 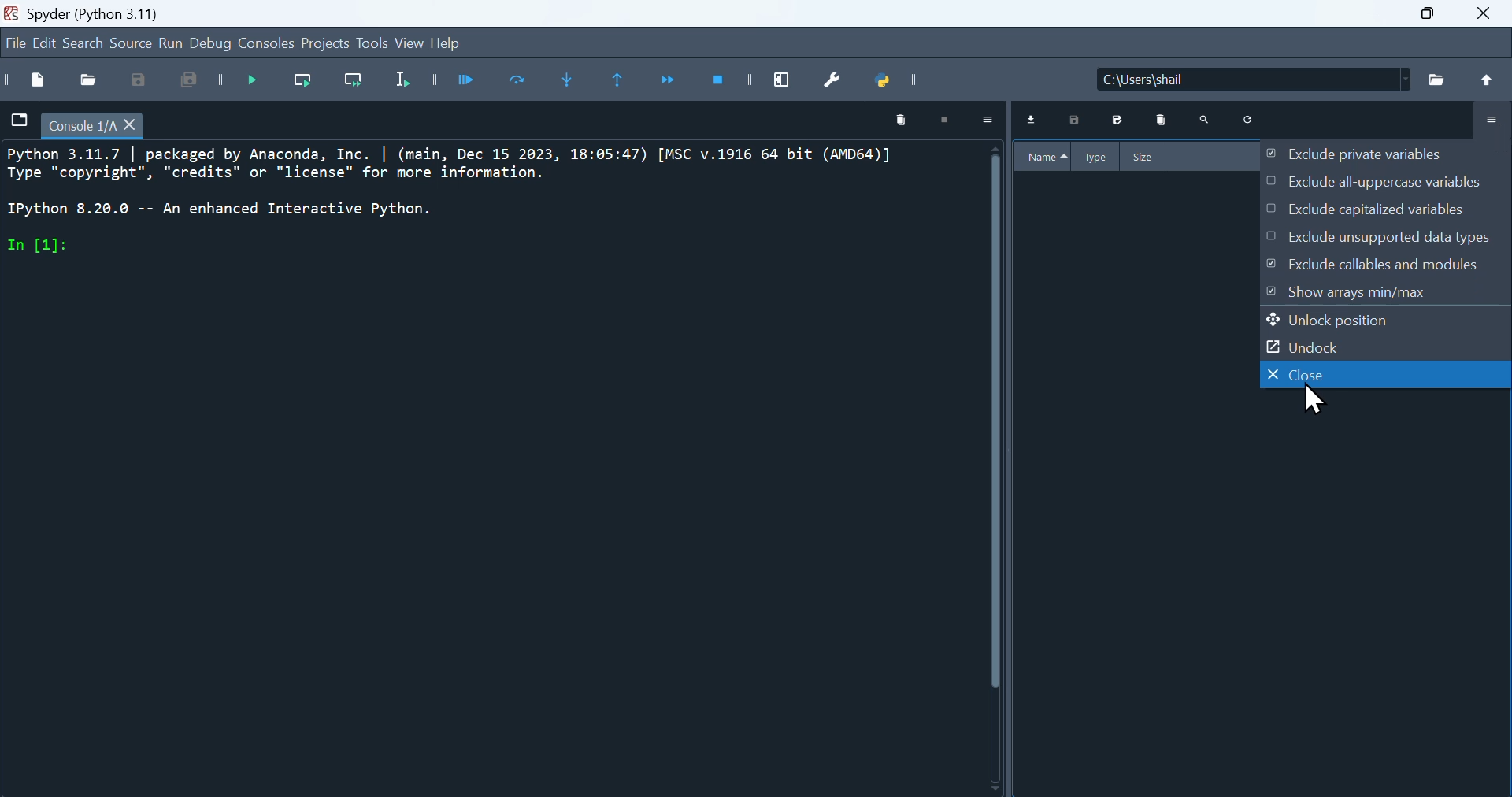 What do you see at coordinates (269, 45) in the screenshot?
I see `Console` at bounding box center [269, 45].